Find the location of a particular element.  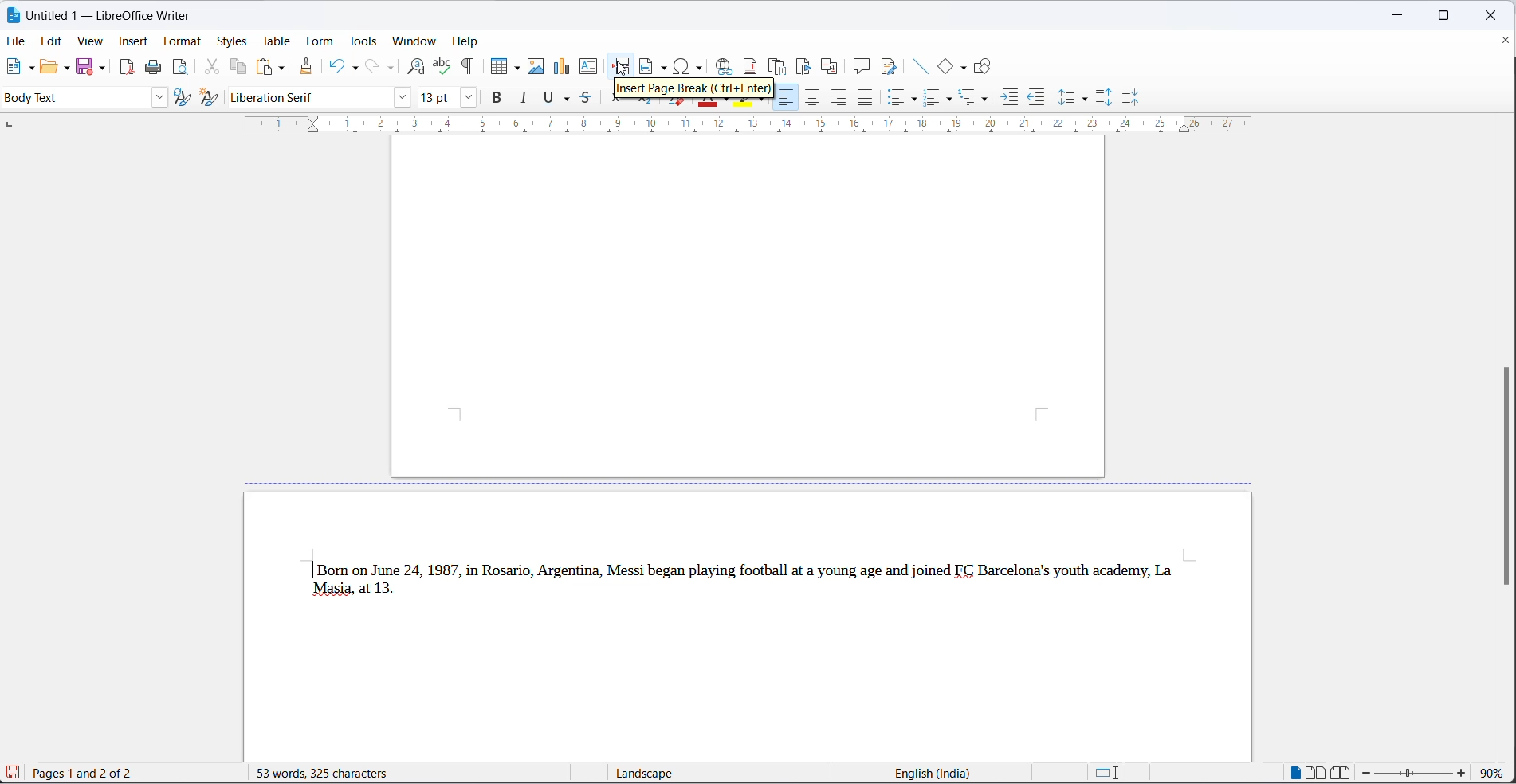

toggle formatting marks is located at coordinates (464, 67).